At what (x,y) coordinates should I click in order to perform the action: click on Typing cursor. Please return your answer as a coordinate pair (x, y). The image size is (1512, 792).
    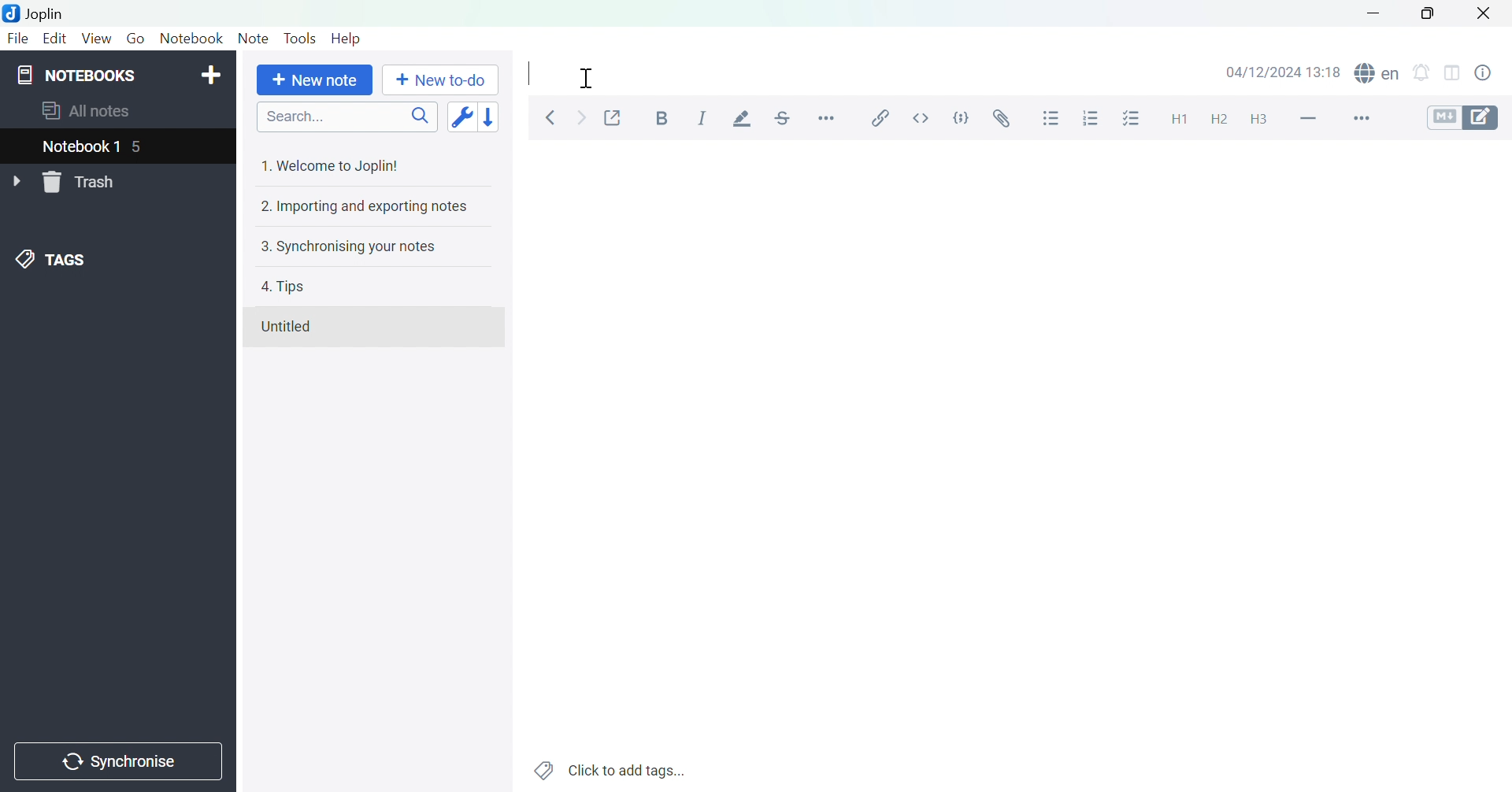
    Looking at the image, I should click on (531, 73).